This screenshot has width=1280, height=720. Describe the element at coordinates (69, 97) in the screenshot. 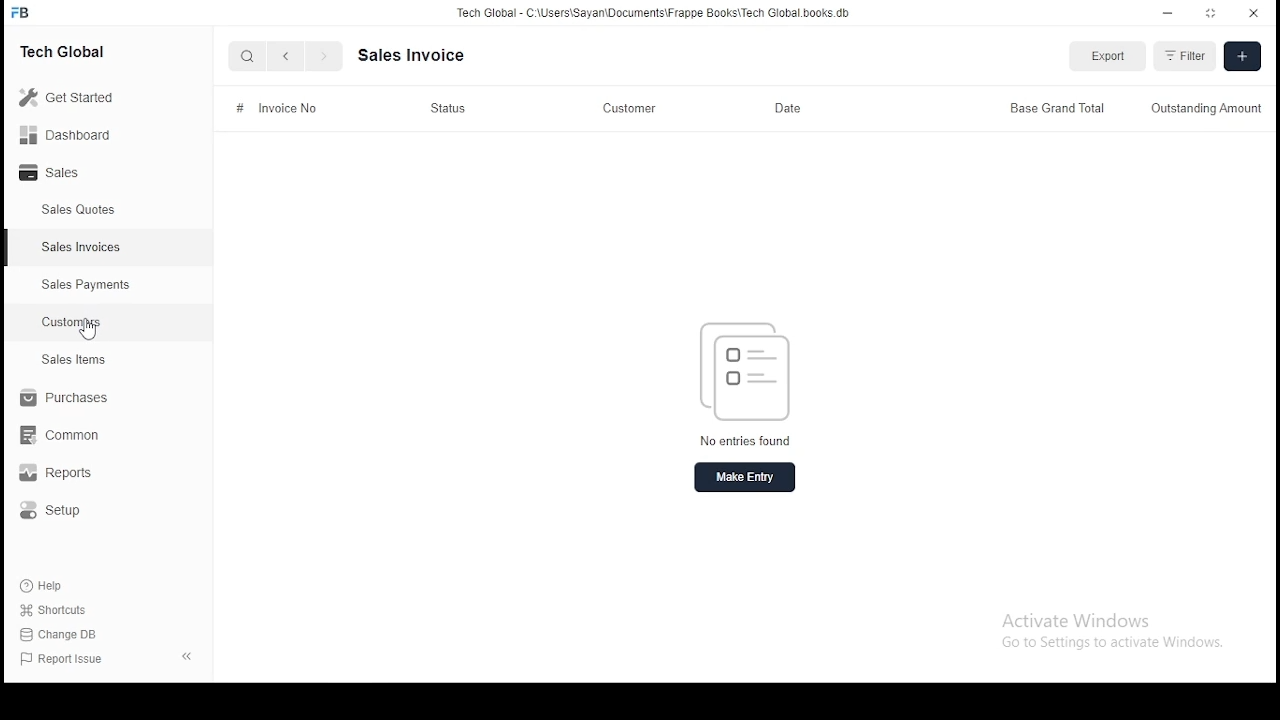

I see `get started` at that location.